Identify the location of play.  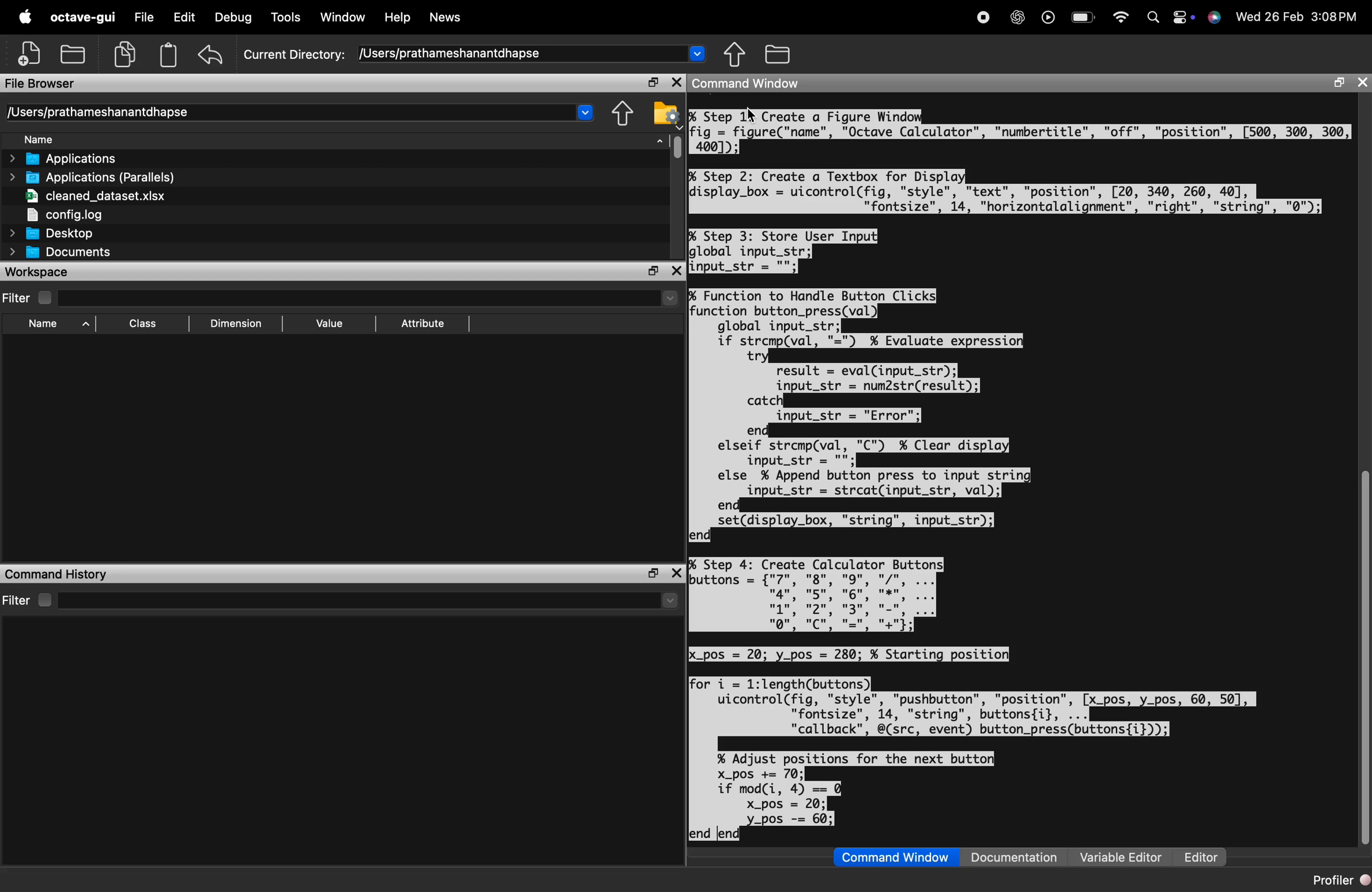
(1047, 17).